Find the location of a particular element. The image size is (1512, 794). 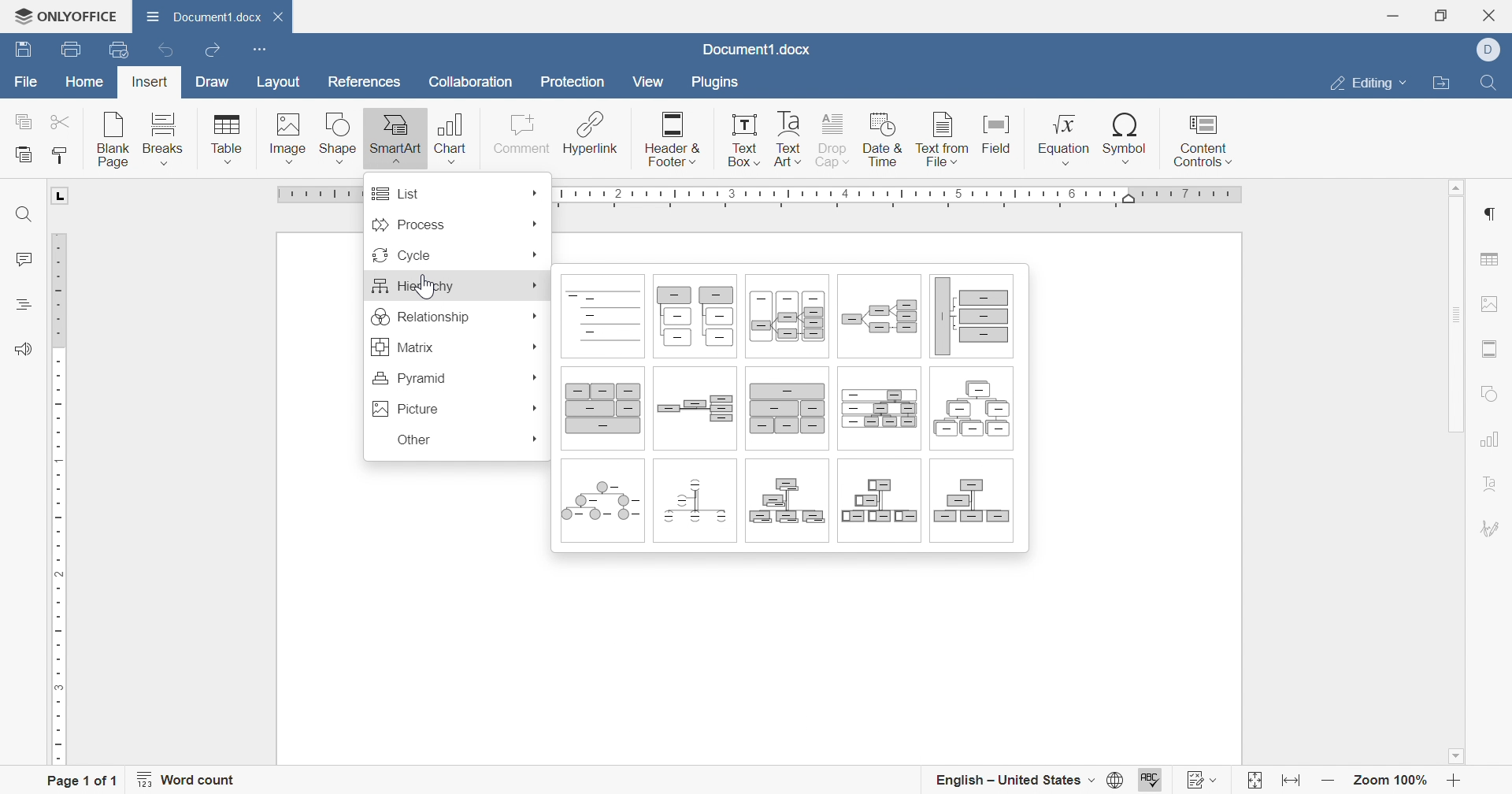

List is located at coordinates (396, 194).